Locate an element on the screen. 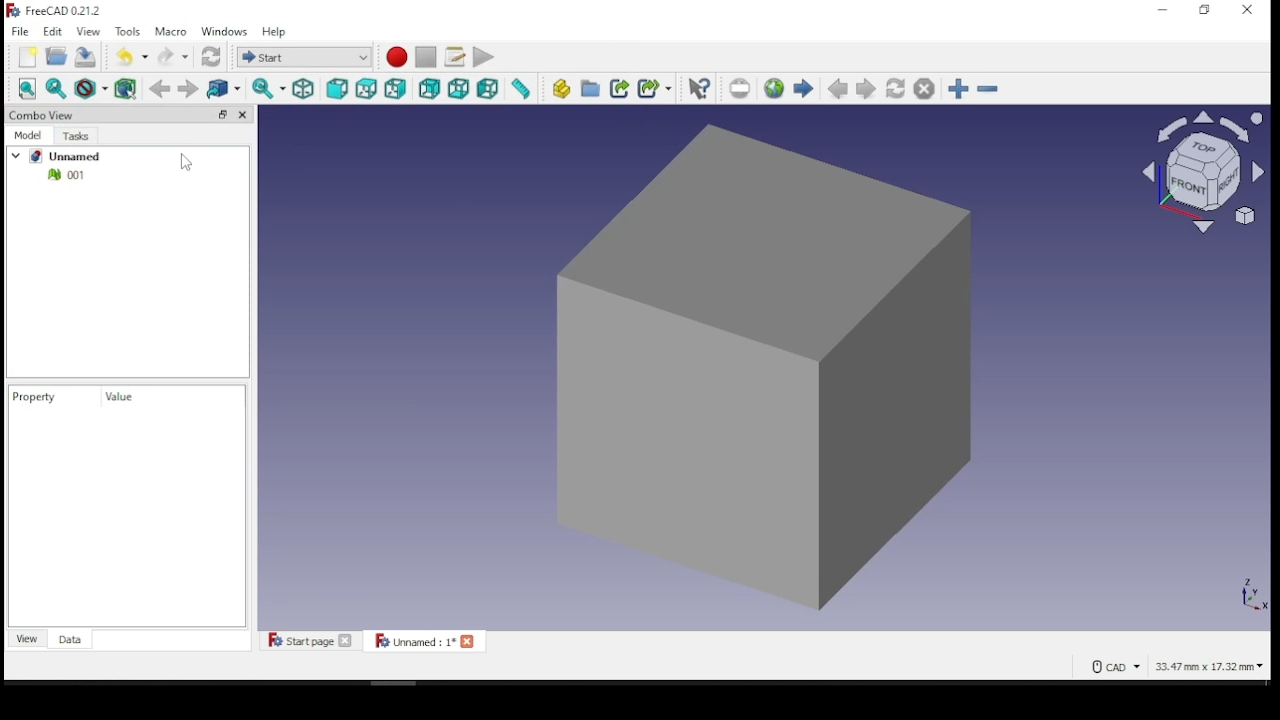  new is located at coordinates (27, 57).